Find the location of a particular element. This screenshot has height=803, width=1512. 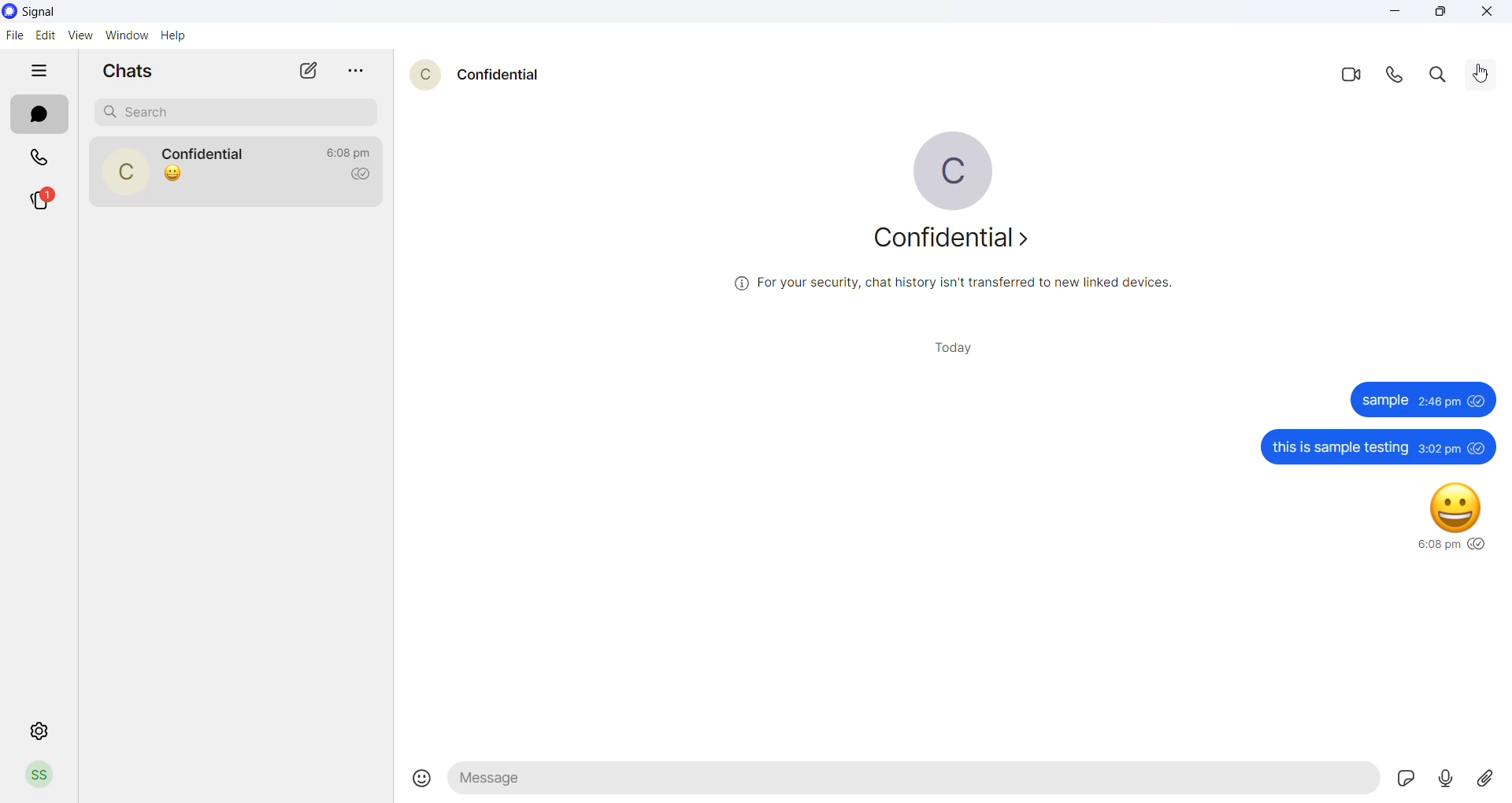

more options is located at coordinates (356, 72).